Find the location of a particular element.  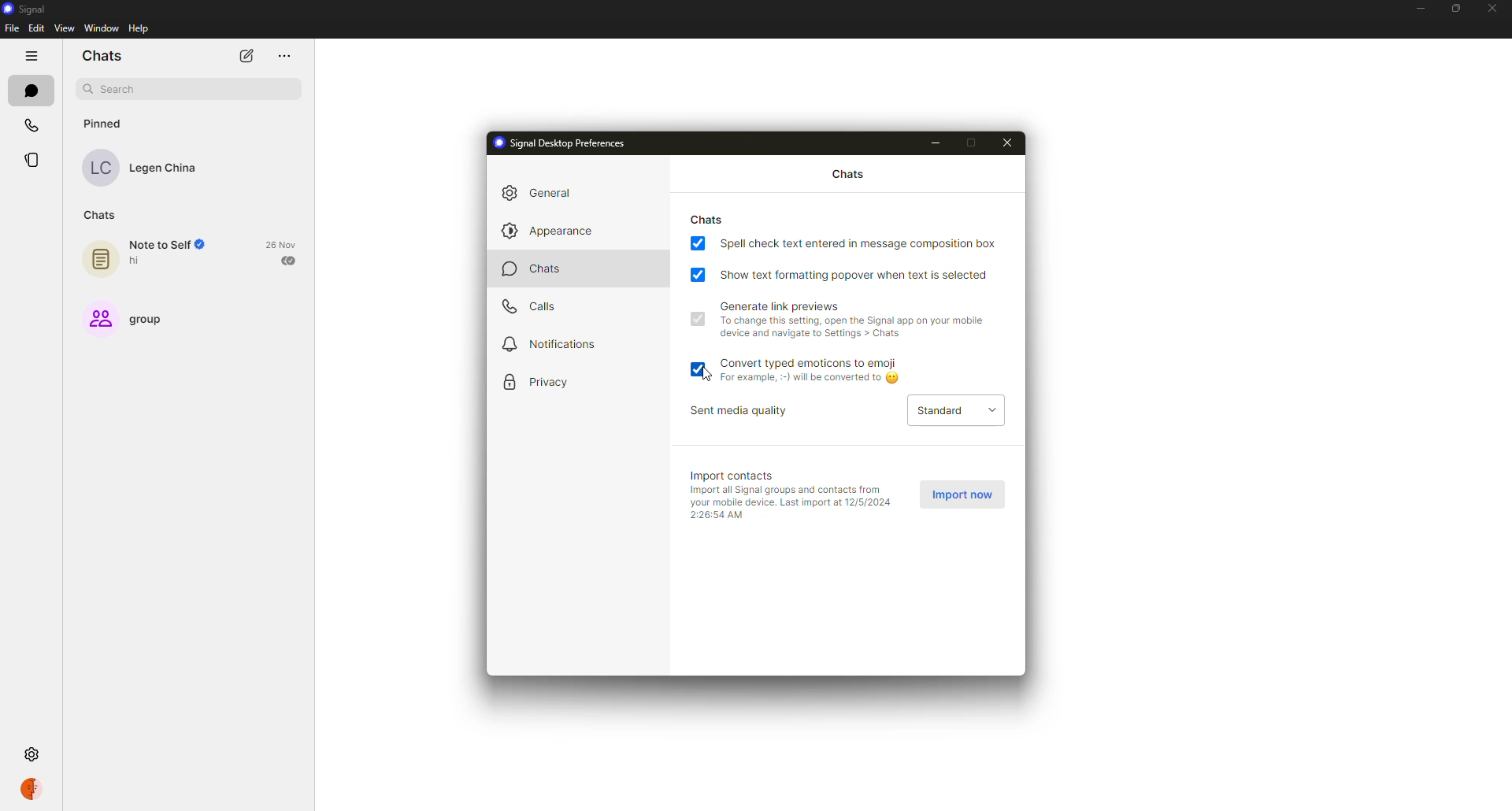

generate link preview is located at coordinates (857, 320).